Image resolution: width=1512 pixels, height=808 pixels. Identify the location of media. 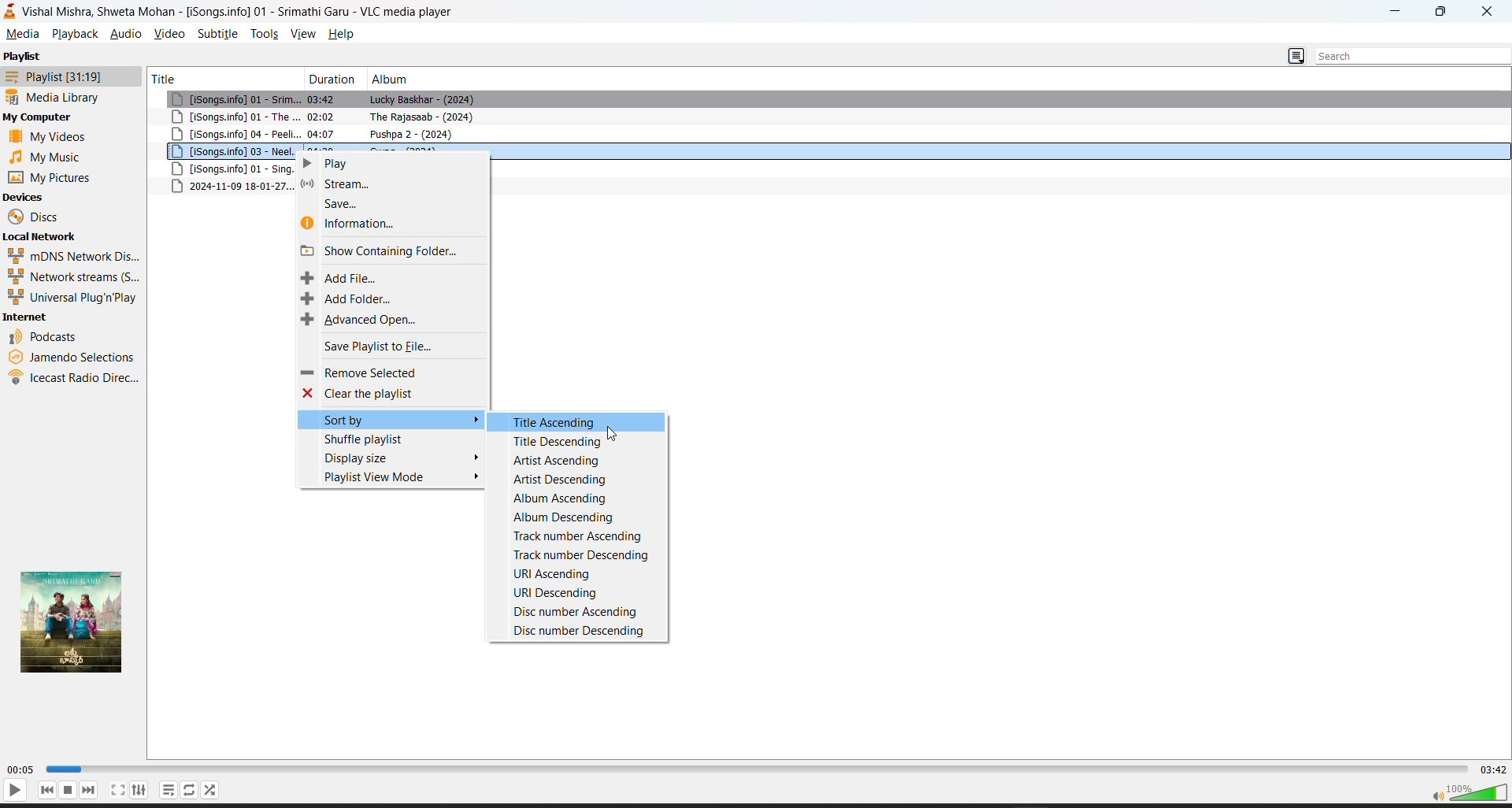
(22, 35).